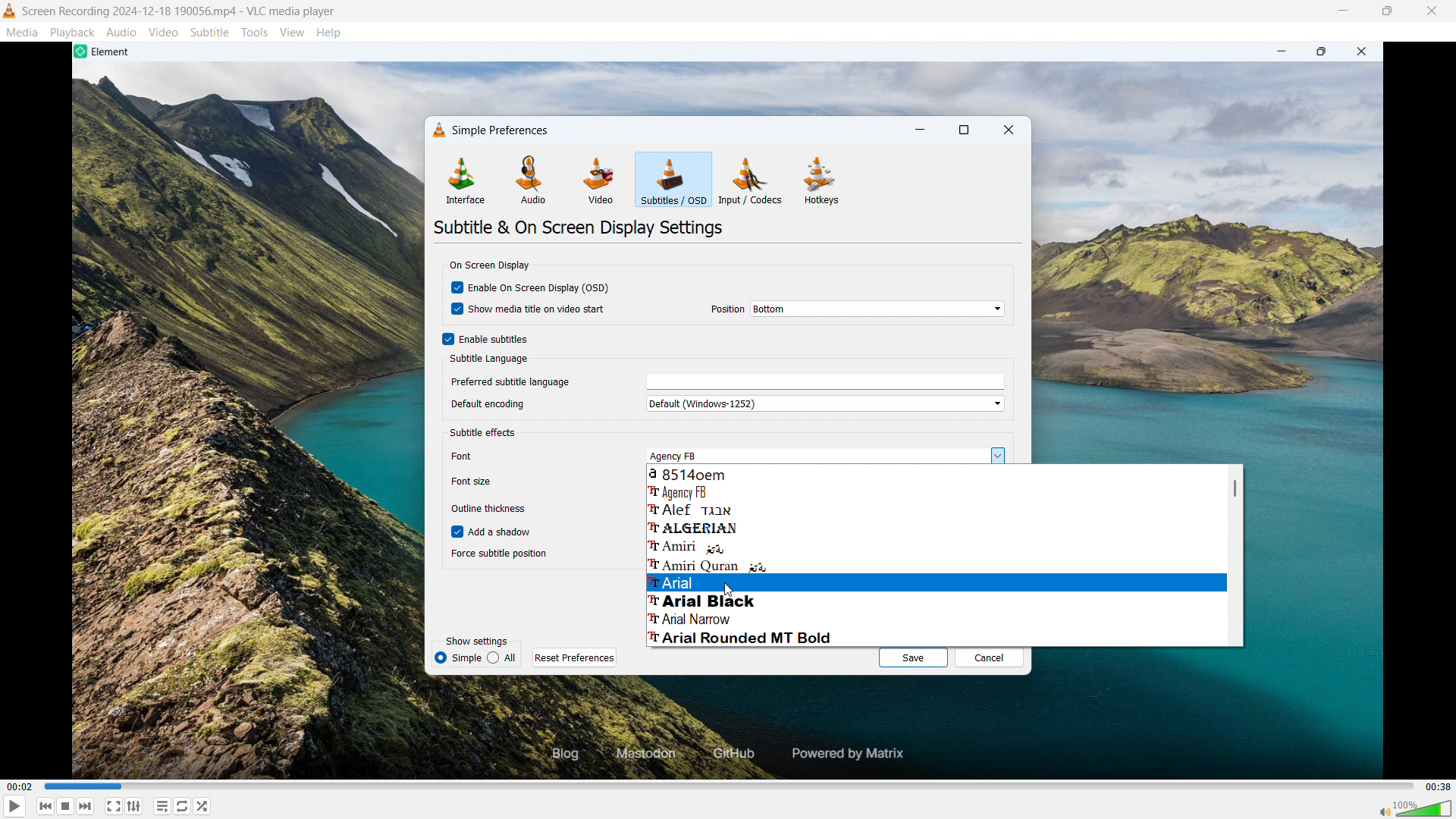 Image resolution: width=1456 pixels, height=819 pixels. I want to click on backward or previous media, so click(45, 806).